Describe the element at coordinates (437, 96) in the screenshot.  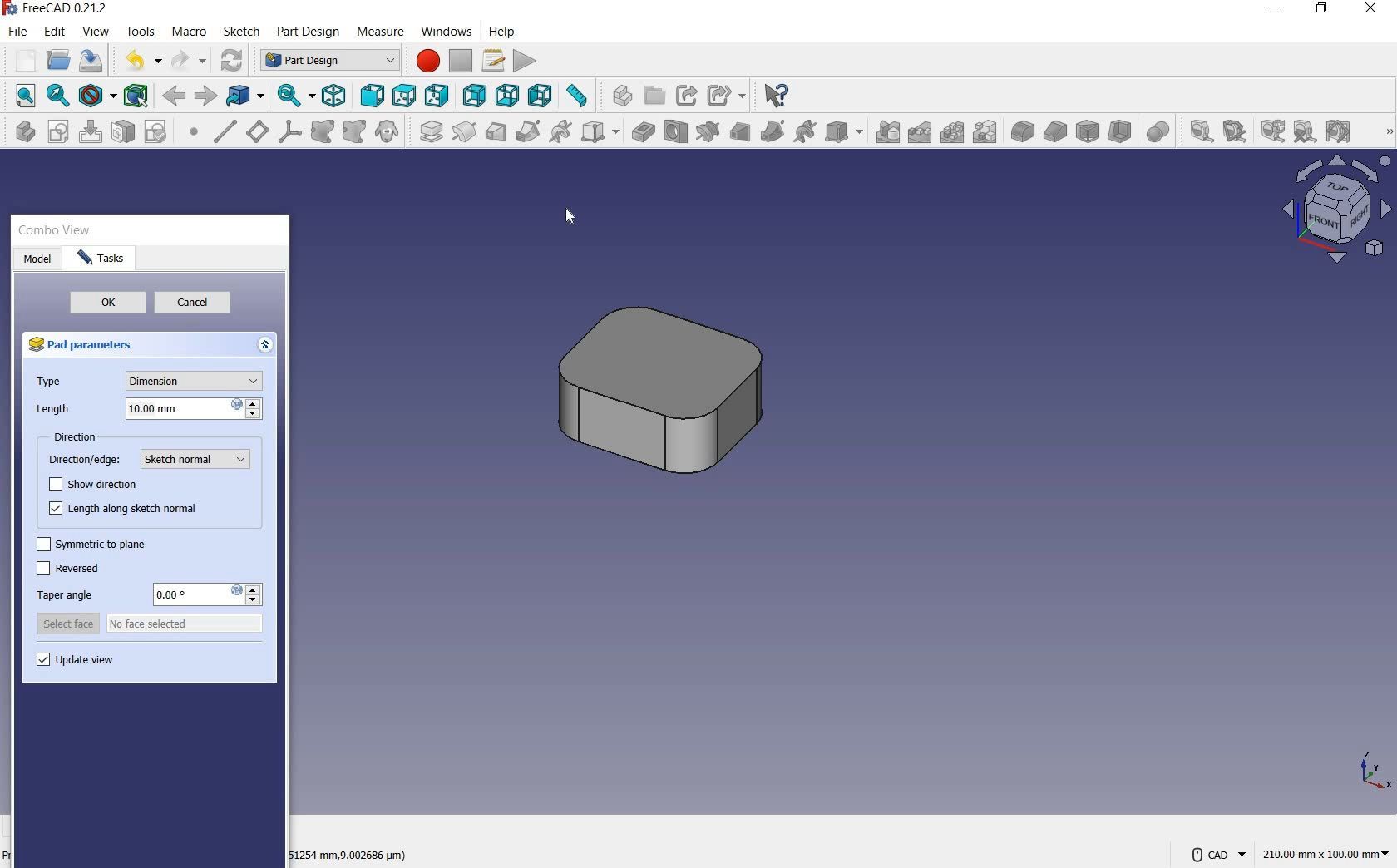
I see `right` at that location.